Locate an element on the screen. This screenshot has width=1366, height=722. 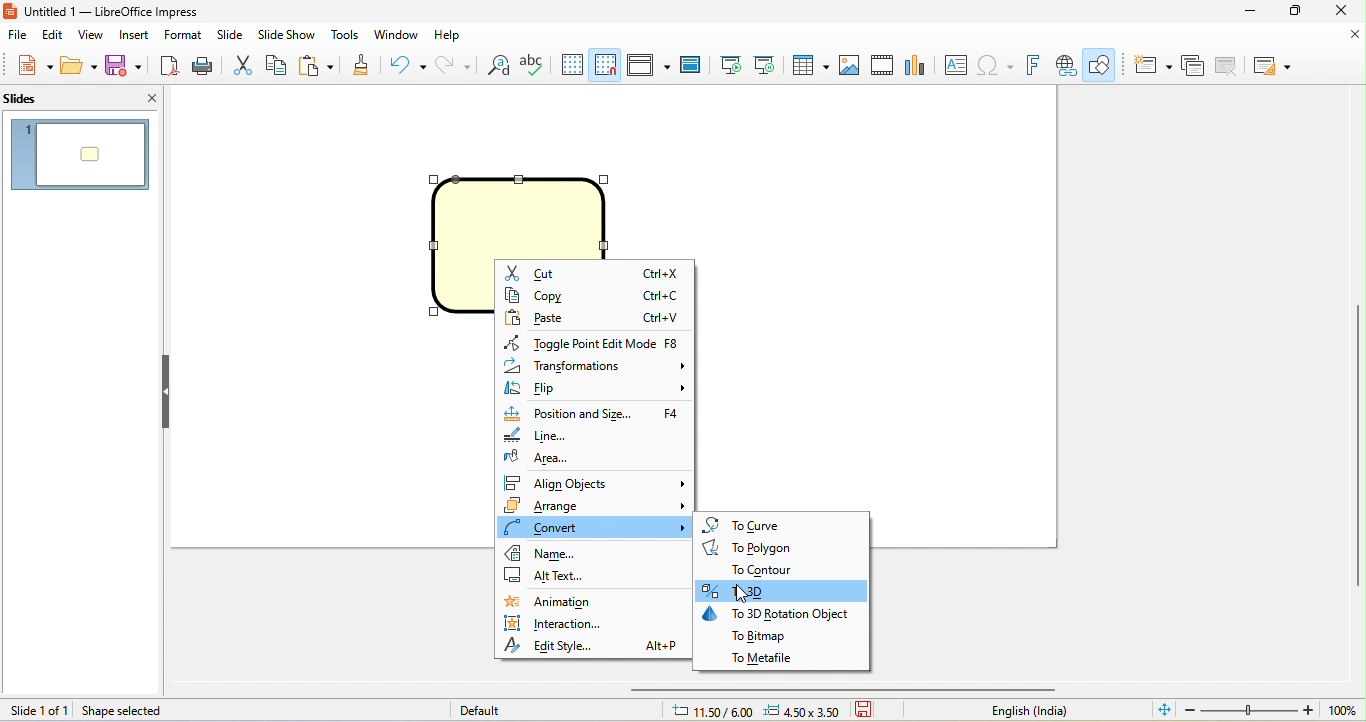
untitled 1-libre office impress is located at coordinates (137, 12).